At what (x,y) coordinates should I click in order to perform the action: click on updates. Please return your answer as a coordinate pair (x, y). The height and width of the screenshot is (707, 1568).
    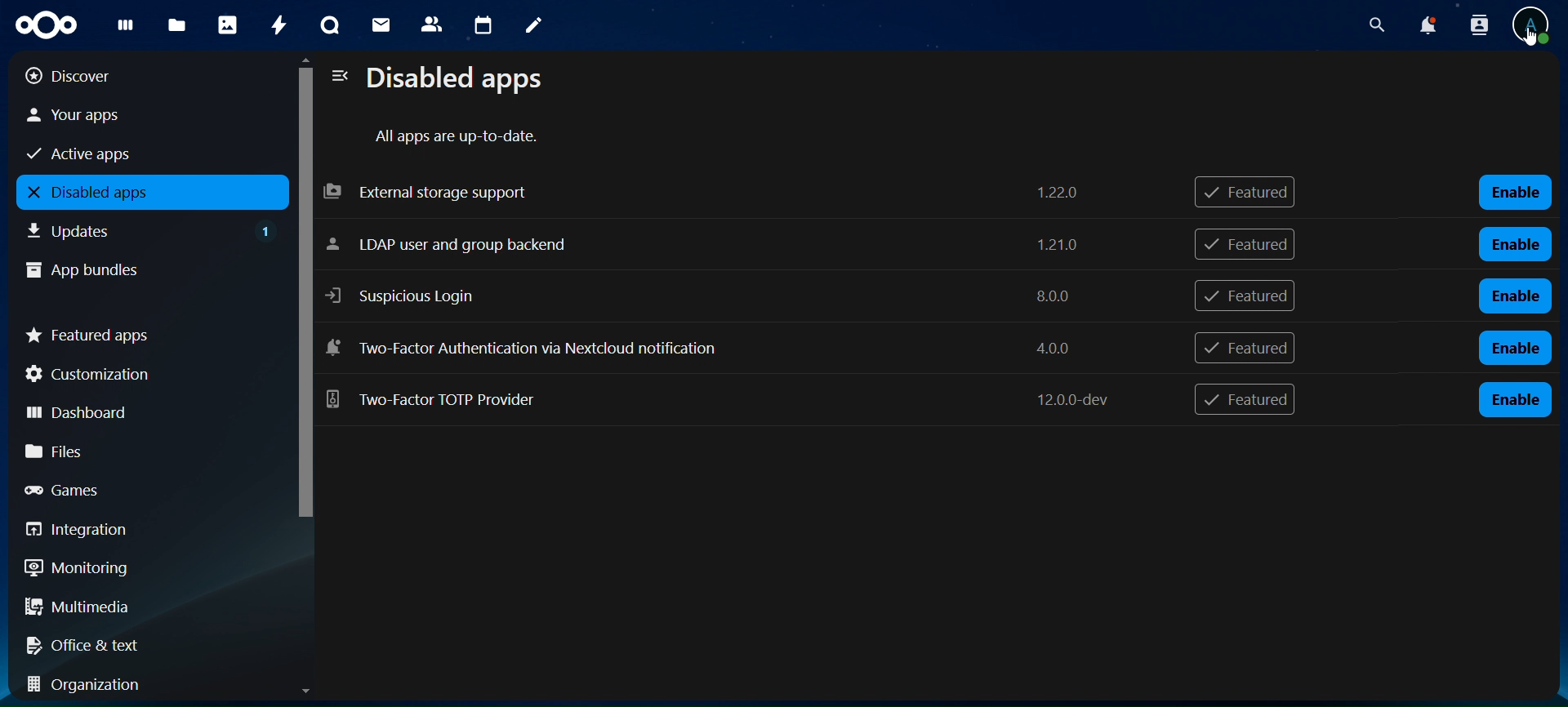
    Looking at the image, I should click on (152, 229).